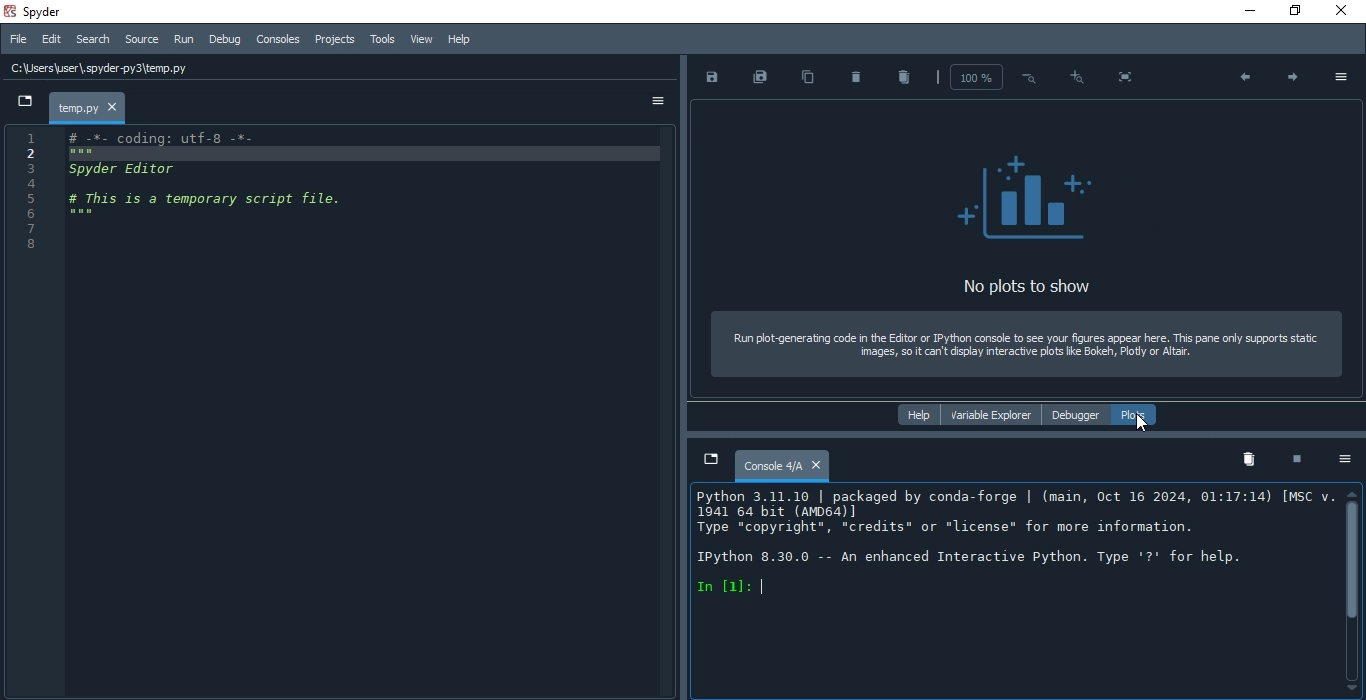 This screenshot has height=700, width=1366. What do you see at coordinates (460, 41) in the screenshot?
I see `Help` at bounding box center [460, 41].